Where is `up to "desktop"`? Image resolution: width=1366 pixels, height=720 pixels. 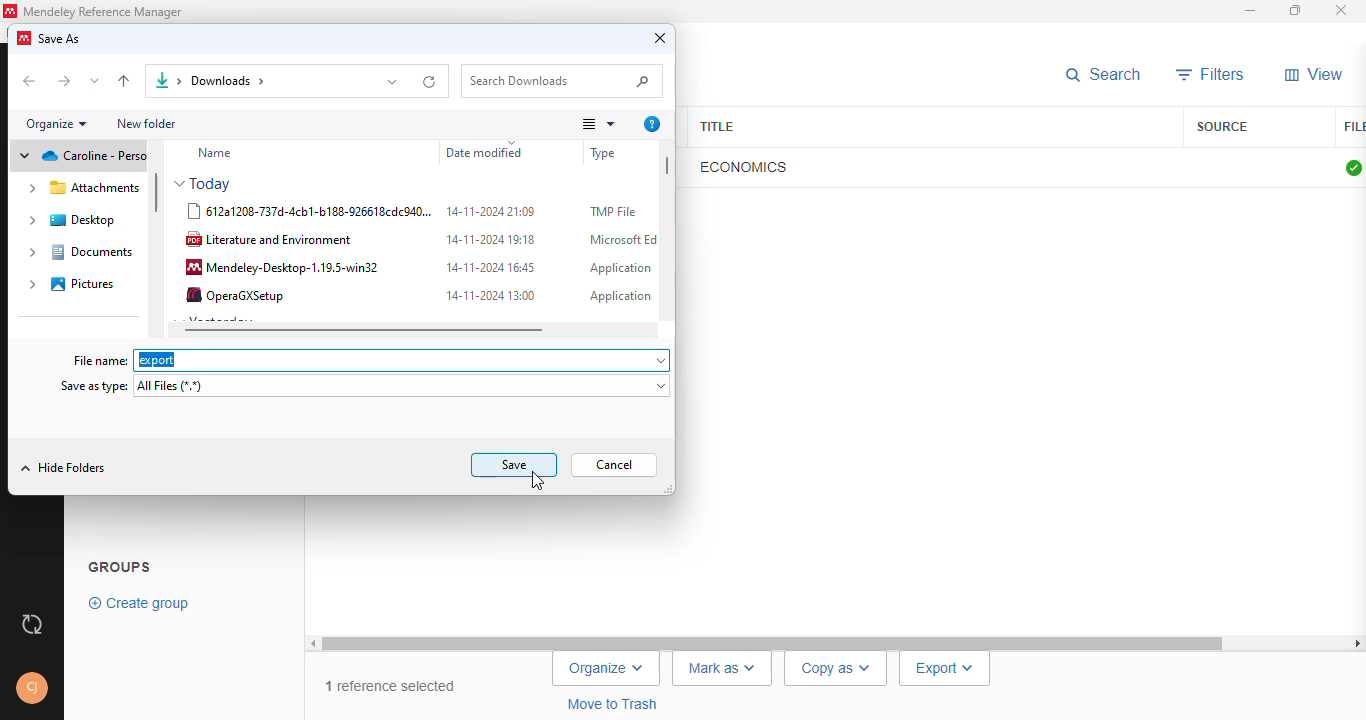
up to "desktop" is located at coordinates (124, 81).